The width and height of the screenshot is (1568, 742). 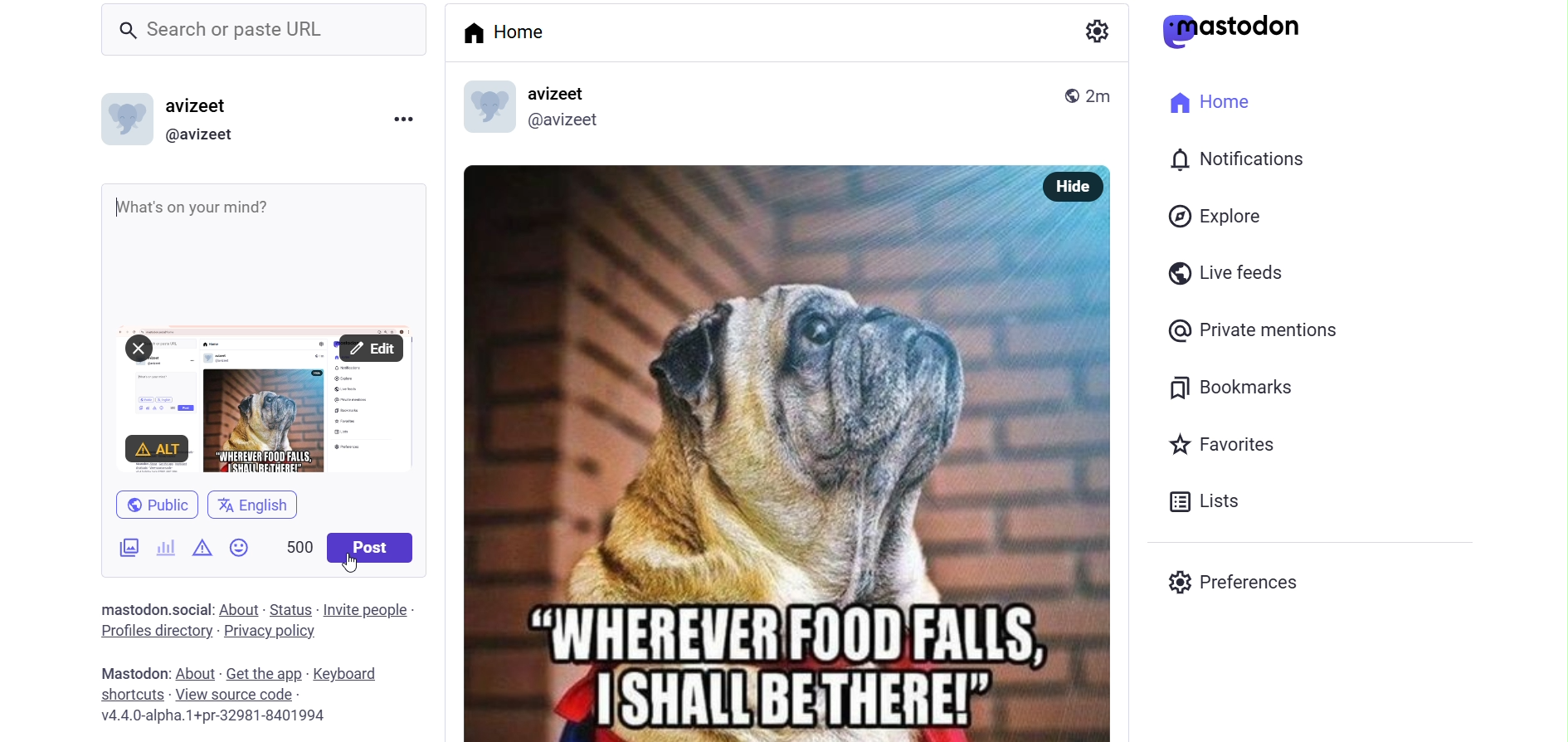 What do you see at coordinates (368, 609) in the screenshot?
I see `invite people` at bounding box center [368, 609].